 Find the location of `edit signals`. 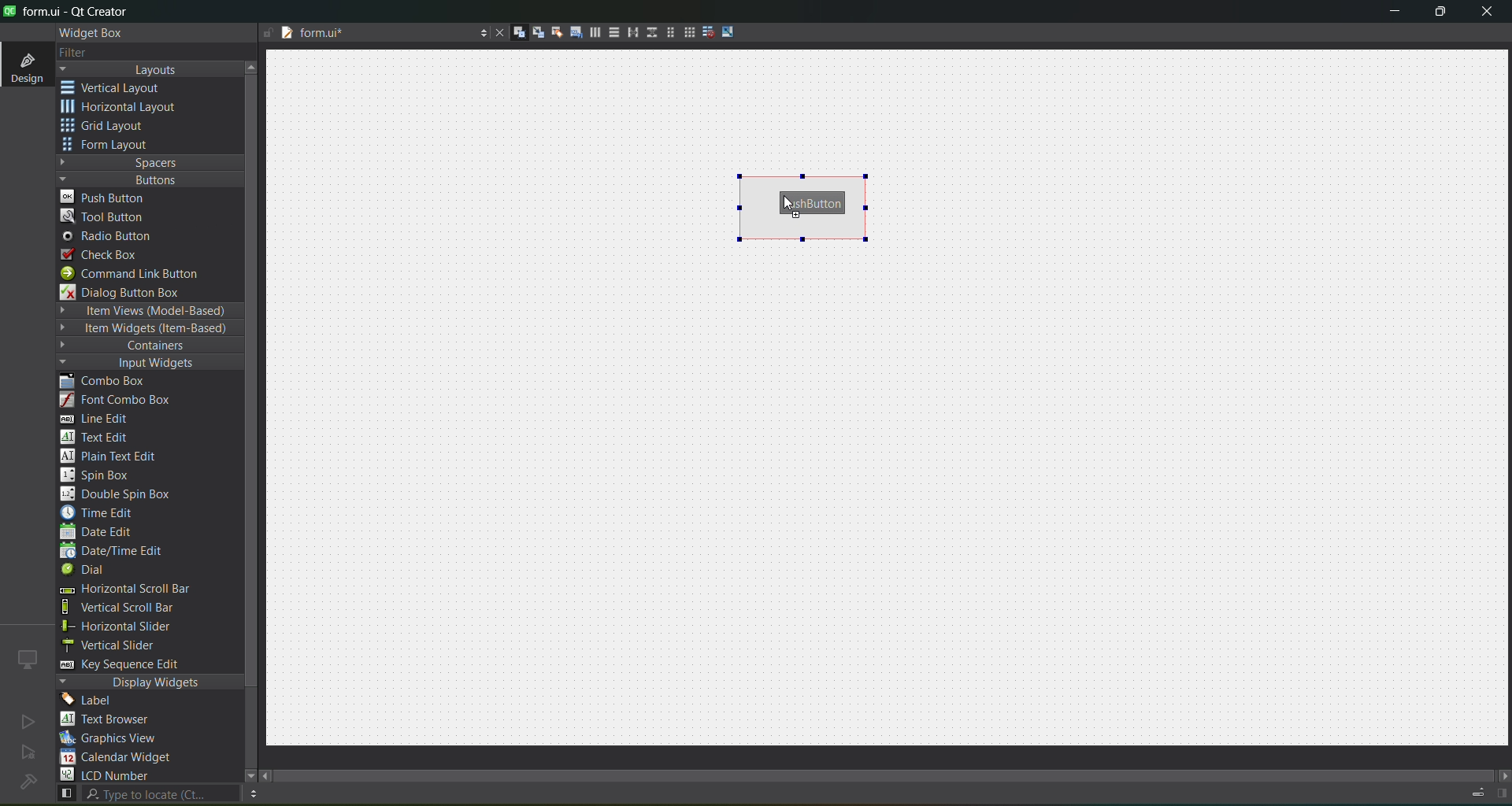

edit signals is located at coordinates (532, 31).